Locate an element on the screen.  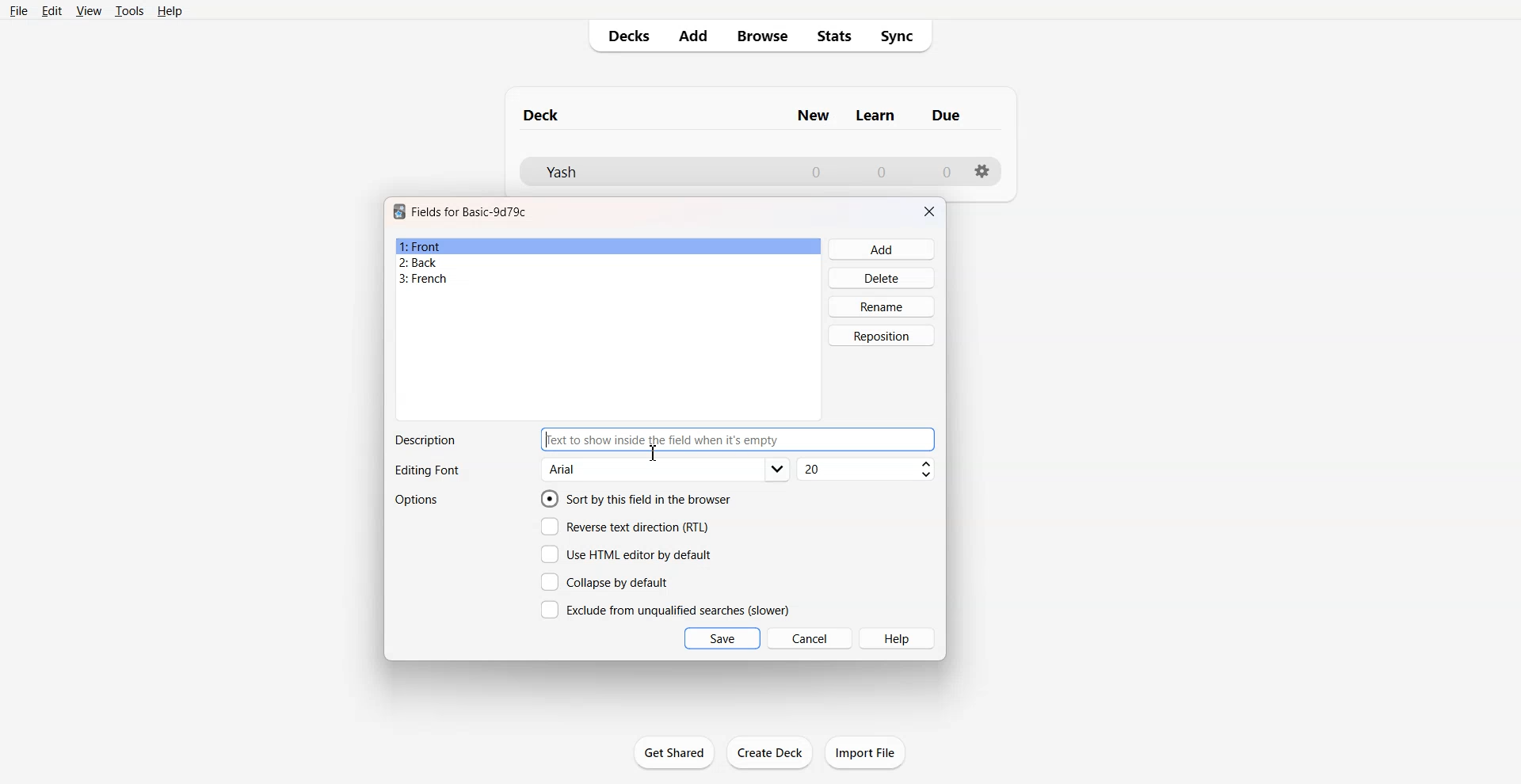
Sync is located at coordinates (902, 36).